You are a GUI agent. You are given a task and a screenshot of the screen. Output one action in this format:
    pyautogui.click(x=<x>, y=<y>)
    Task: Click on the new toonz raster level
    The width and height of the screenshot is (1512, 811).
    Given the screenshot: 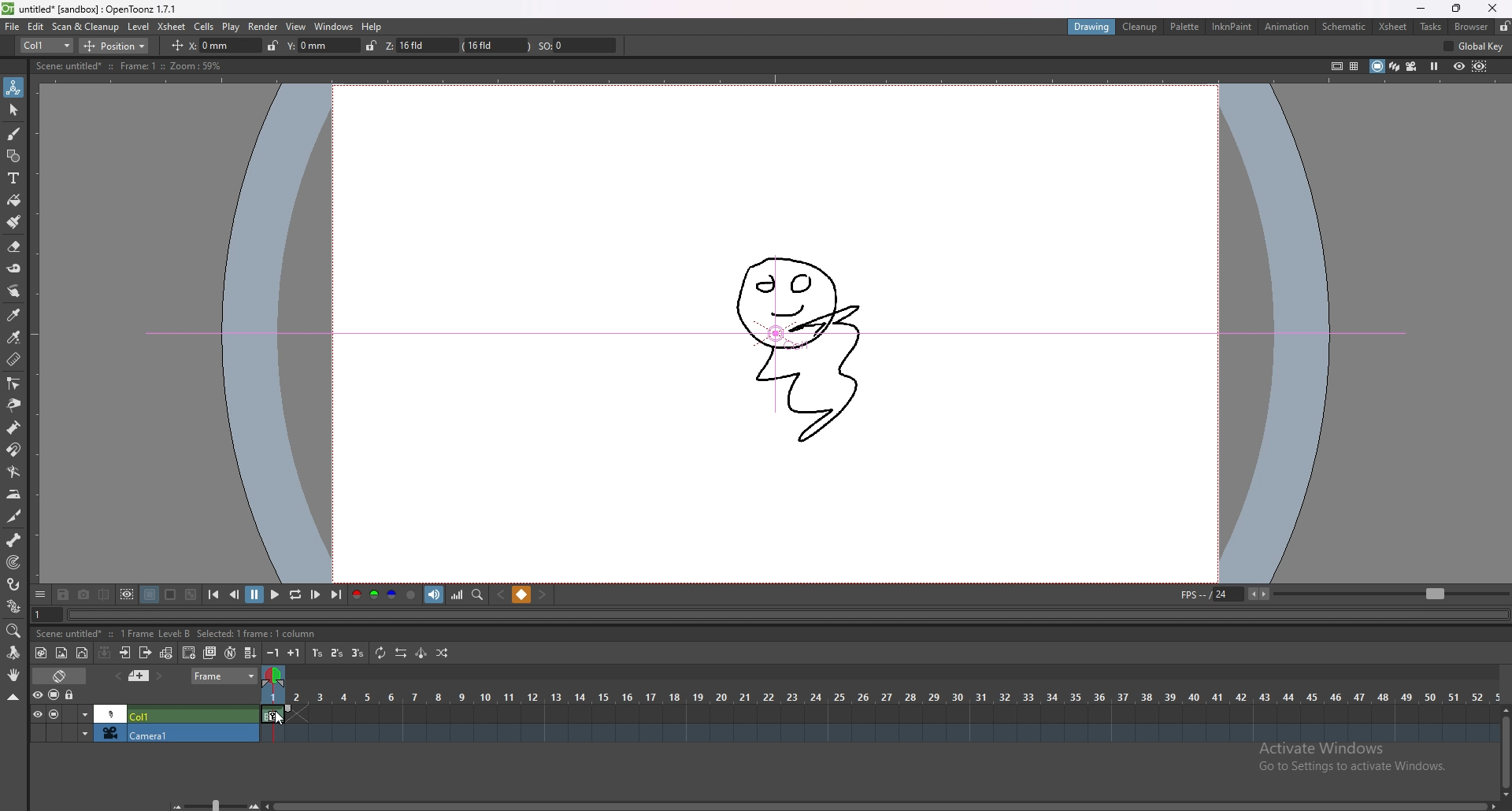 What is the action you would take?
    pyautogui.click(x=42, y=654)
    